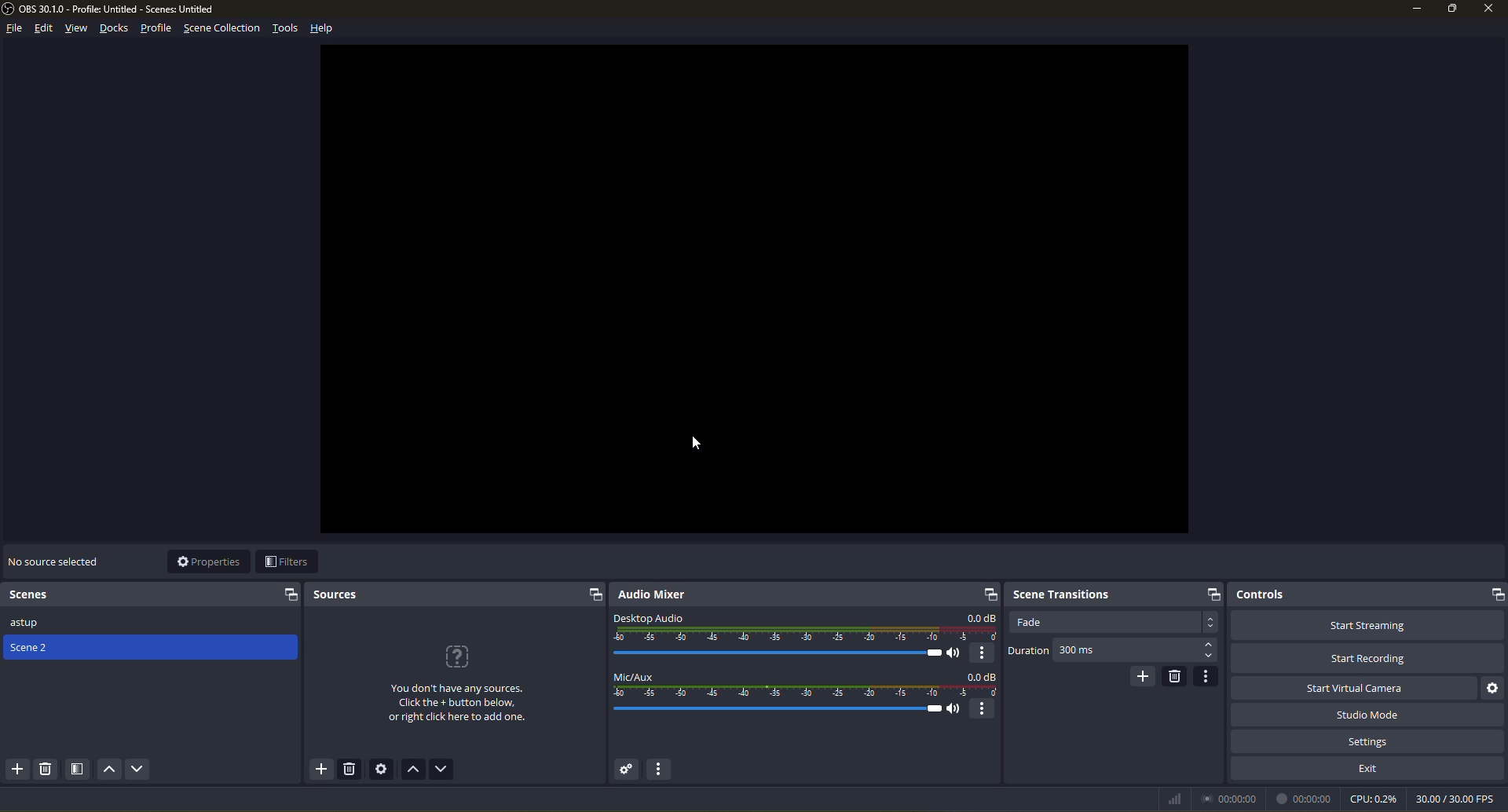 The height and width of the screenshot is (812, 1508). Describe the element at coordinates (225, 29) in the screenshot. I see `scene selection` at that location.